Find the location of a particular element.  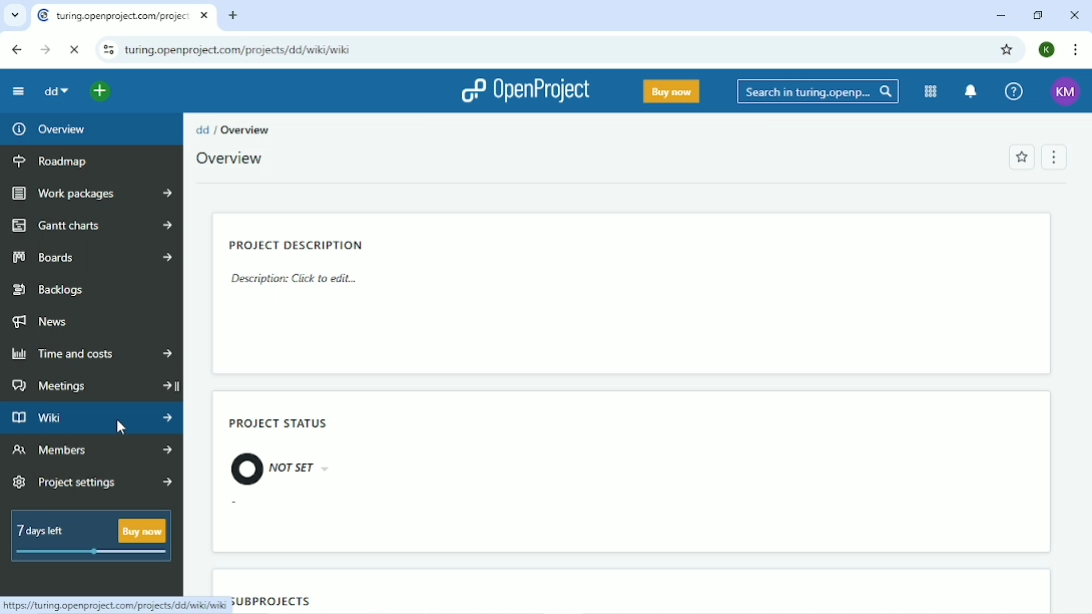

Collapse project menu is located at coordinates (17, 92).